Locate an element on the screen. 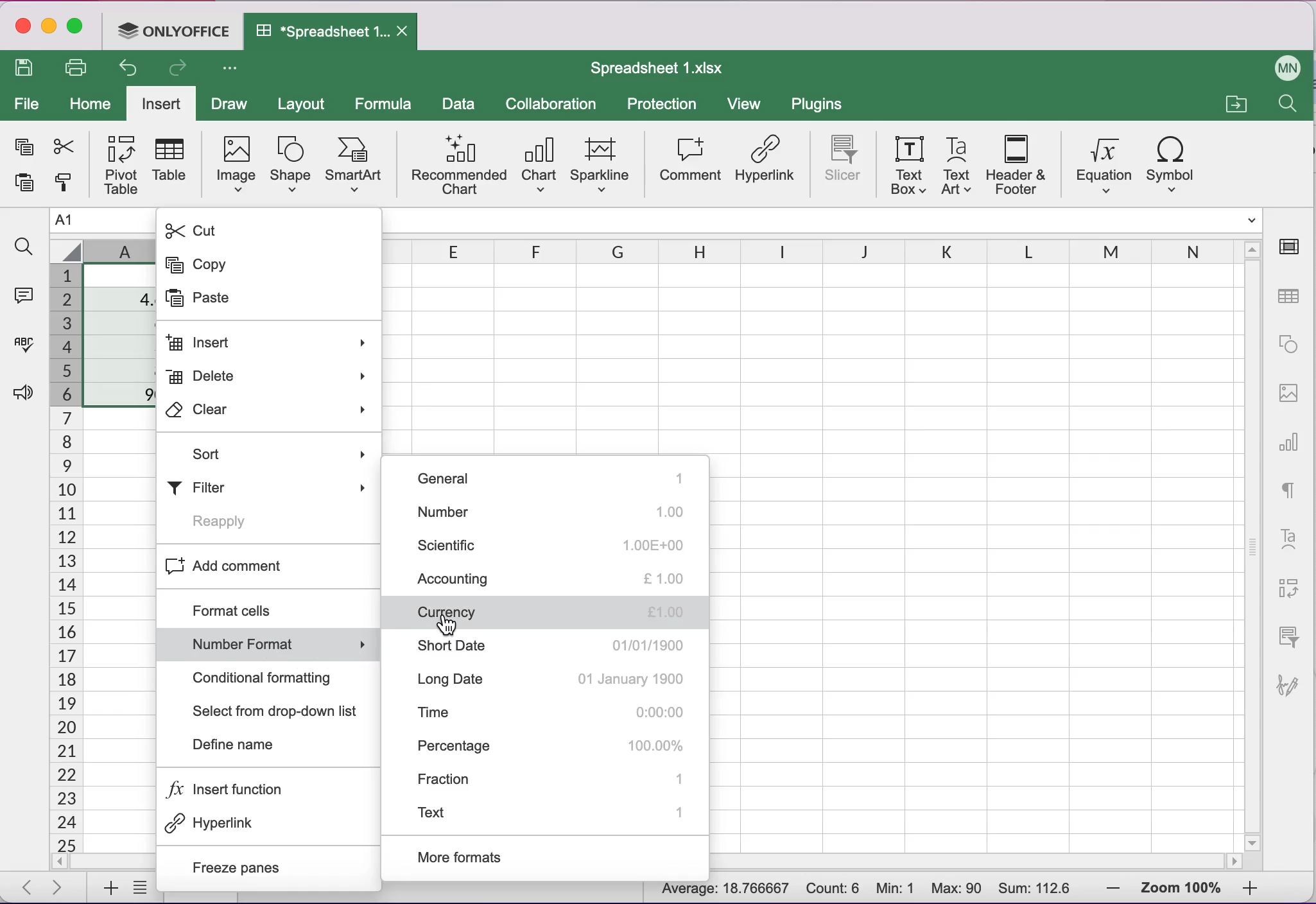 The width and height of the screenshot is (1316, 904). copy is located at coordinates (22, 148).